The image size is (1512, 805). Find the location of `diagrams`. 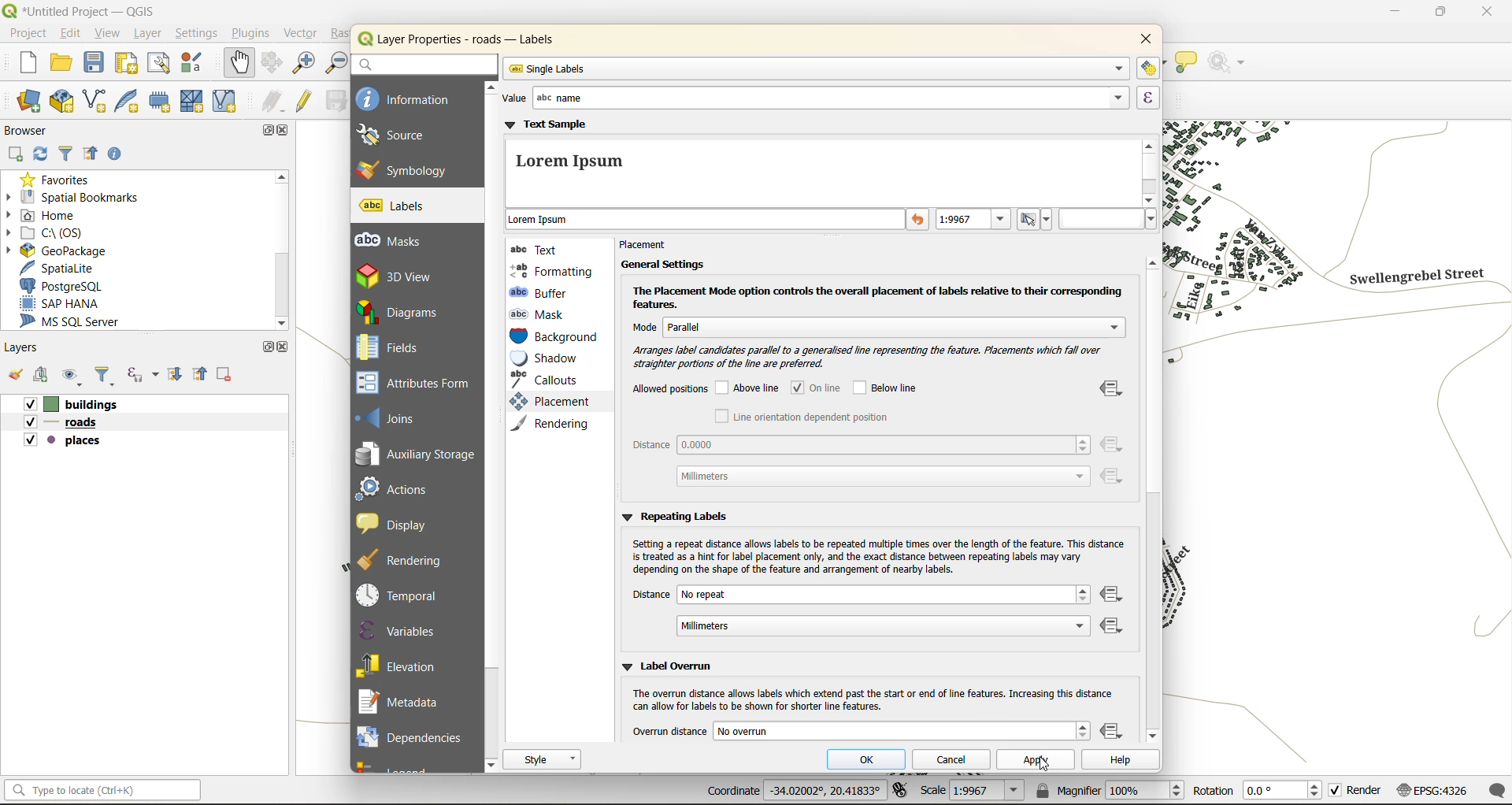

diagrams is located at coordinates (407, 312).